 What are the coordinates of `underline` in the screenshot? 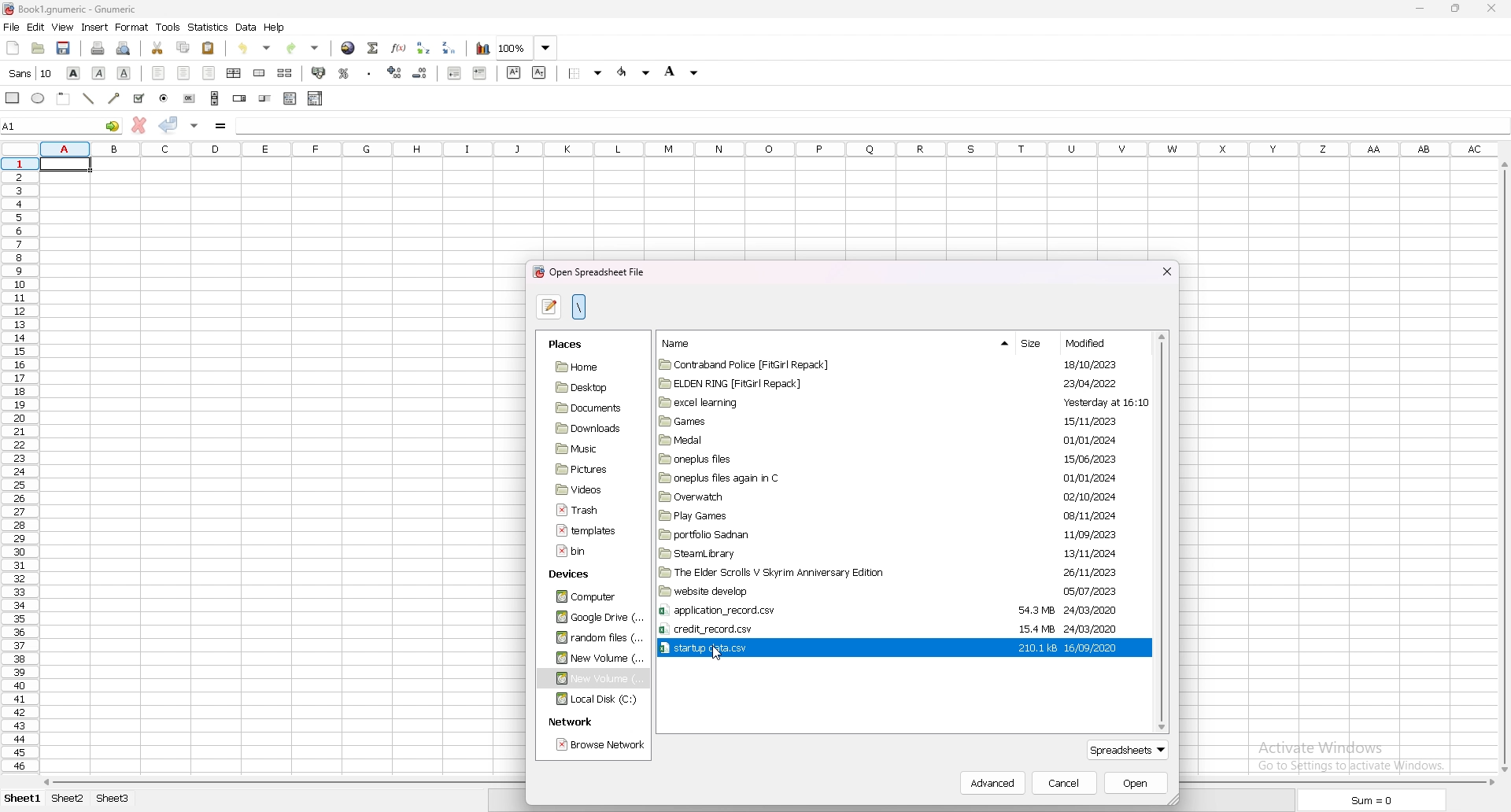 It's located at (124, 74).